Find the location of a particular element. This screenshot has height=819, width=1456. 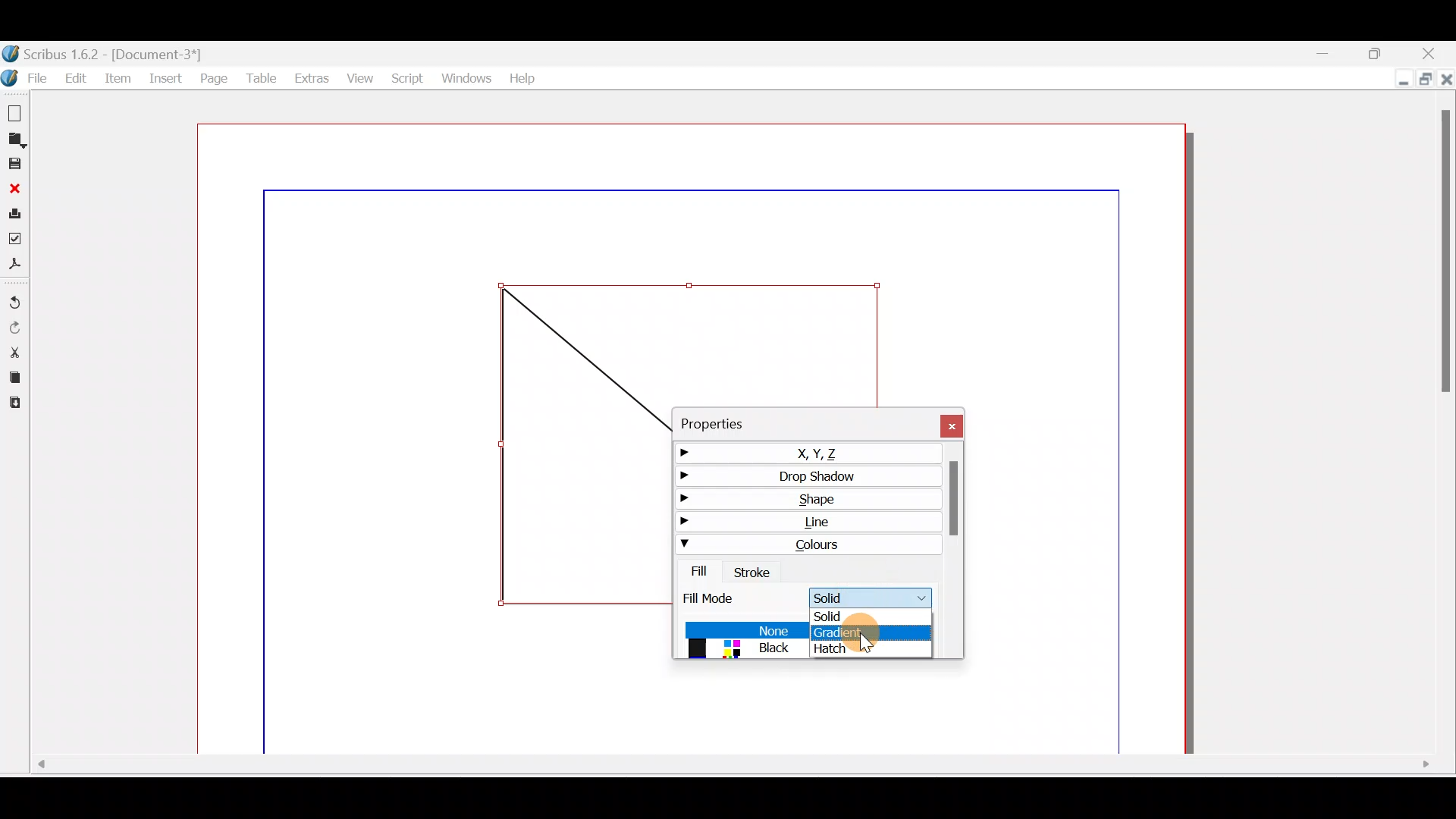

Shape frame is located at coordinates (580, 447).